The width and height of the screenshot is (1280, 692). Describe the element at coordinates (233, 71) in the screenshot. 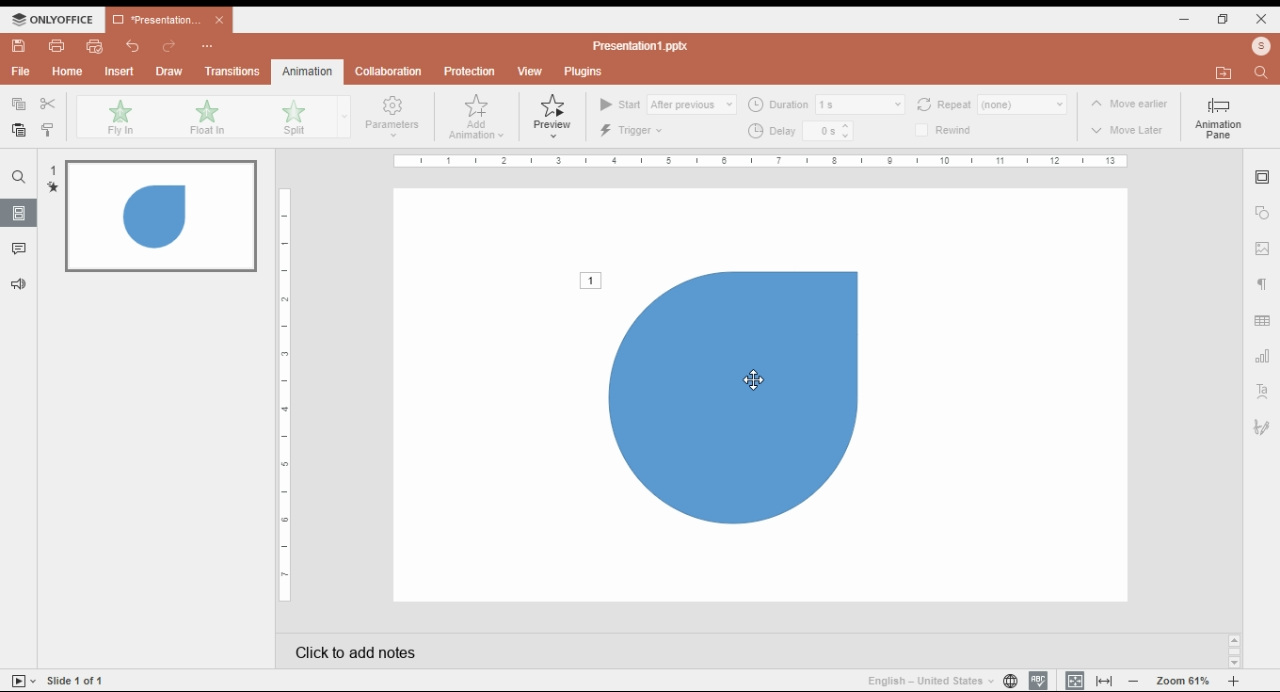

I see `transitions` at that location.